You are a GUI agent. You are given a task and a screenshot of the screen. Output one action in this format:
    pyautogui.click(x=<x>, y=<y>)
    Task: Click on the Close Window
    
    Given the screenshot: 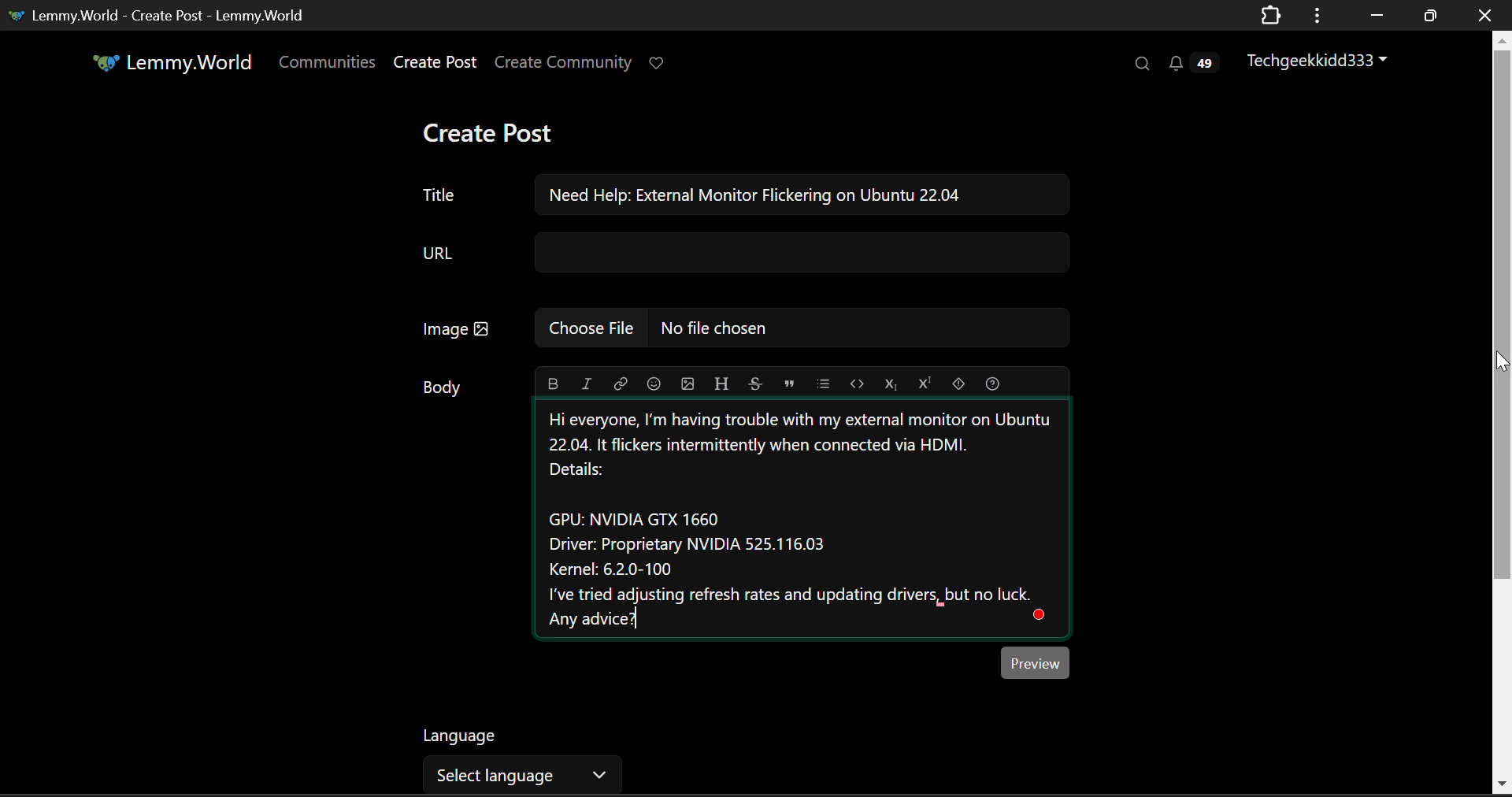 What is the action you would take?
    pyautogui.click(x=1487, y=14)
    